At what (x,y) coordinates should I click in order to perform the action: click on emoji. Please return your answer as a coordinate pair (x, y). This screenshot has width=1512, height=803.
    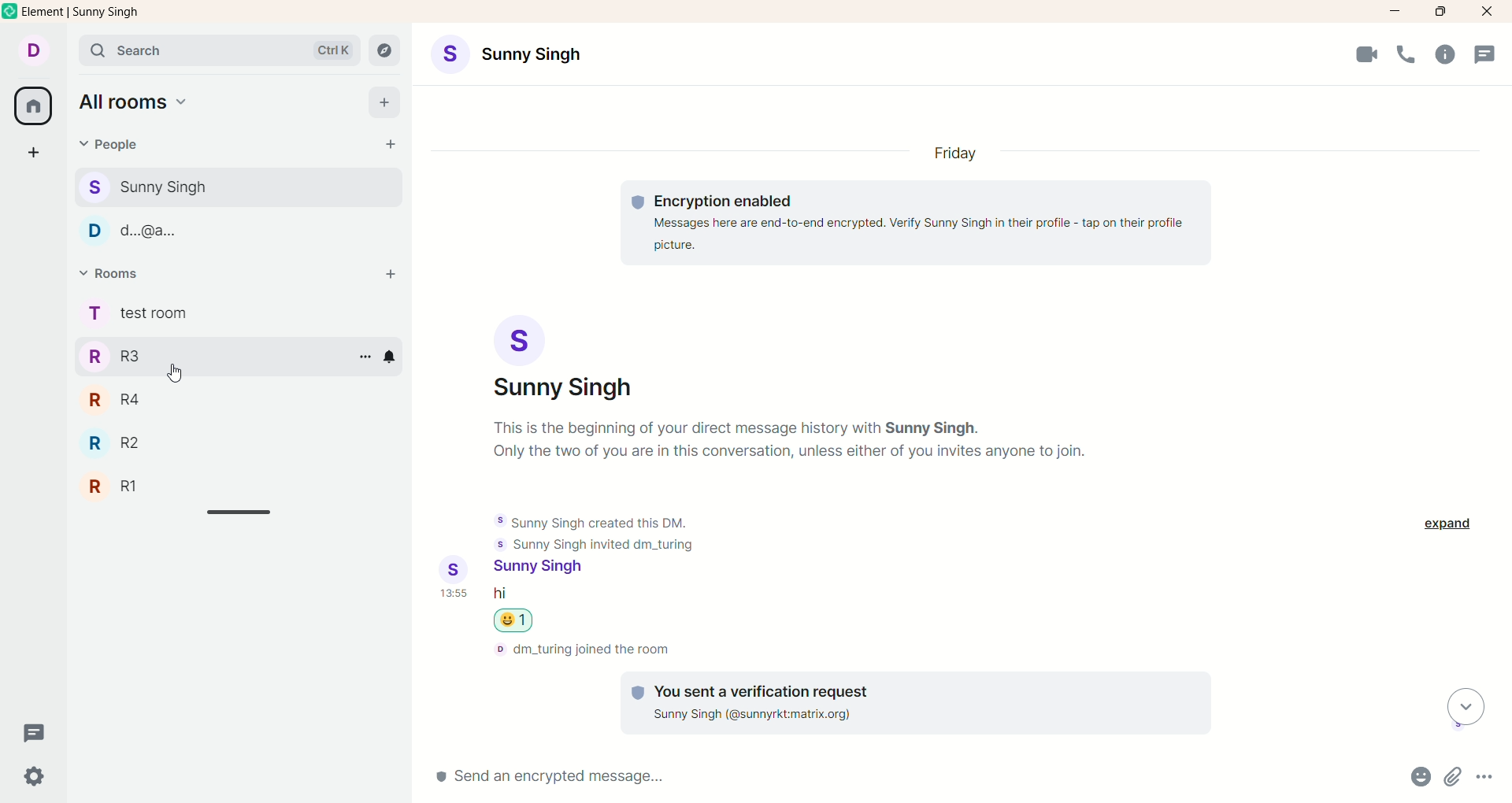
    Looking at the image, I should click on (525, 621).